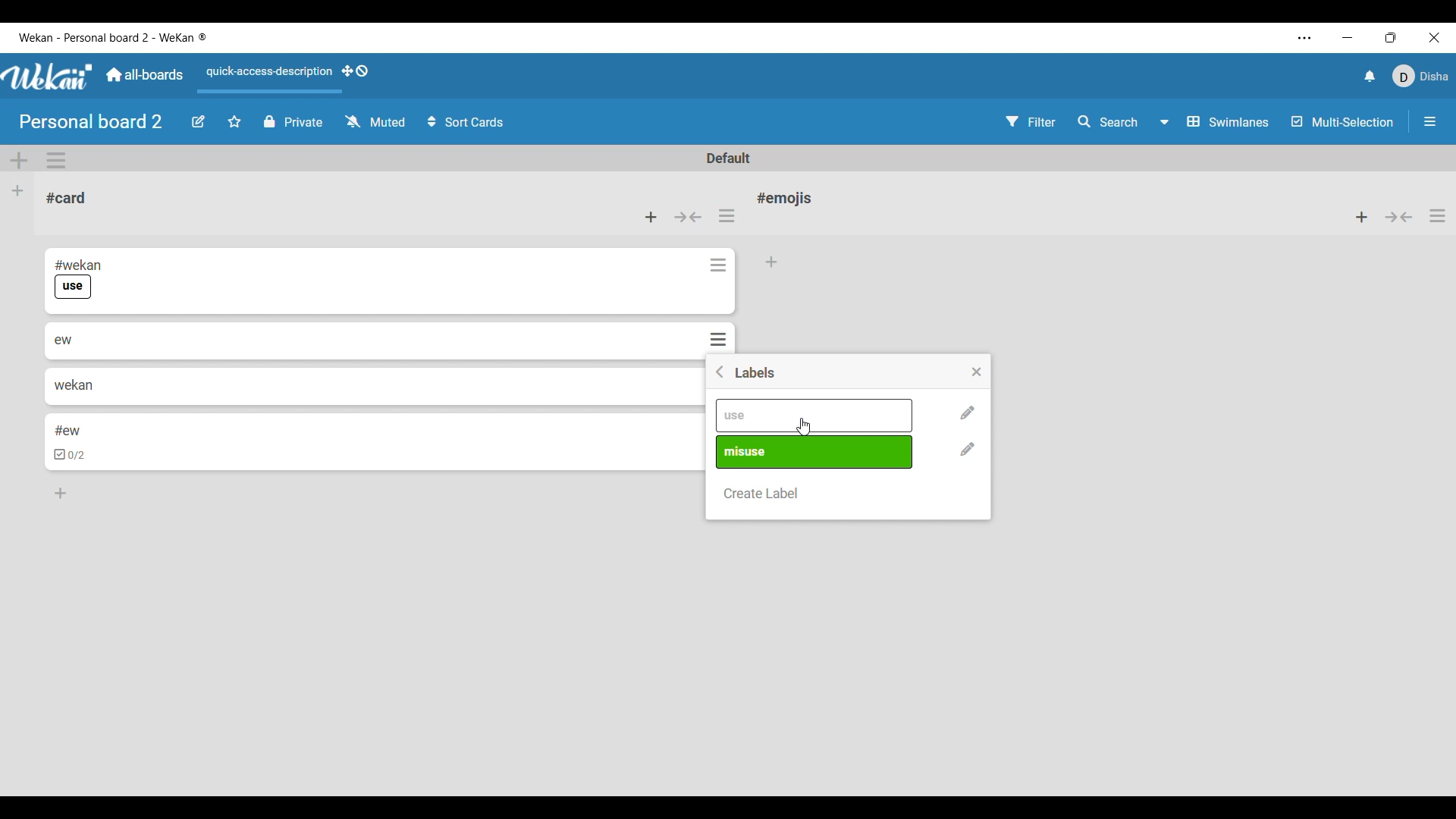 The width and height of the screenshot is (1456, 819). Describe the element at coordinates (761, 494) in the screenshot. I see `Create new label` at that location.